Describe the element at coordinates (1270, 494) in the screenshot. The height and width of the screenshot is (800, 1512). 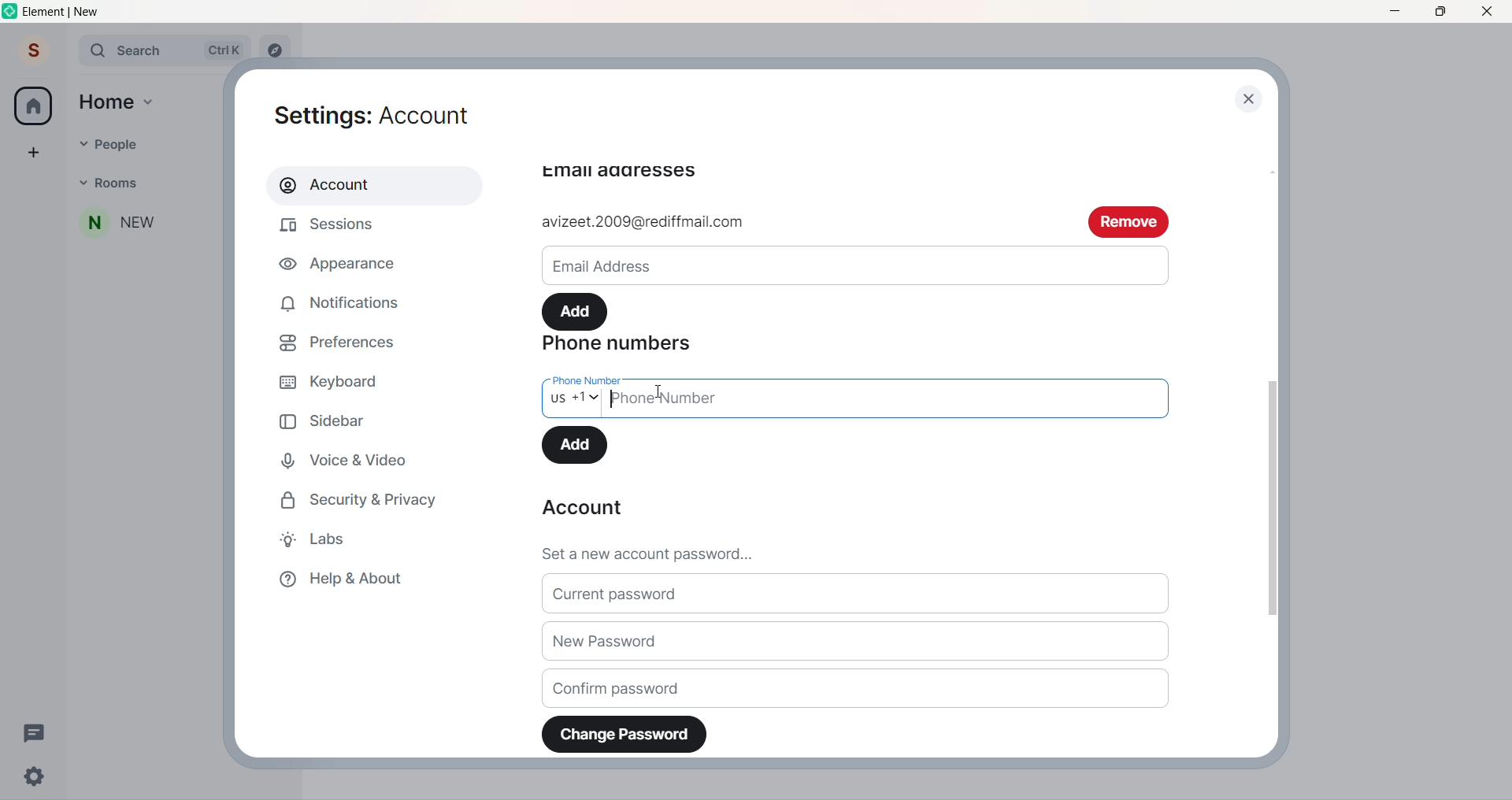
I see `Scroll Bar` at that location.